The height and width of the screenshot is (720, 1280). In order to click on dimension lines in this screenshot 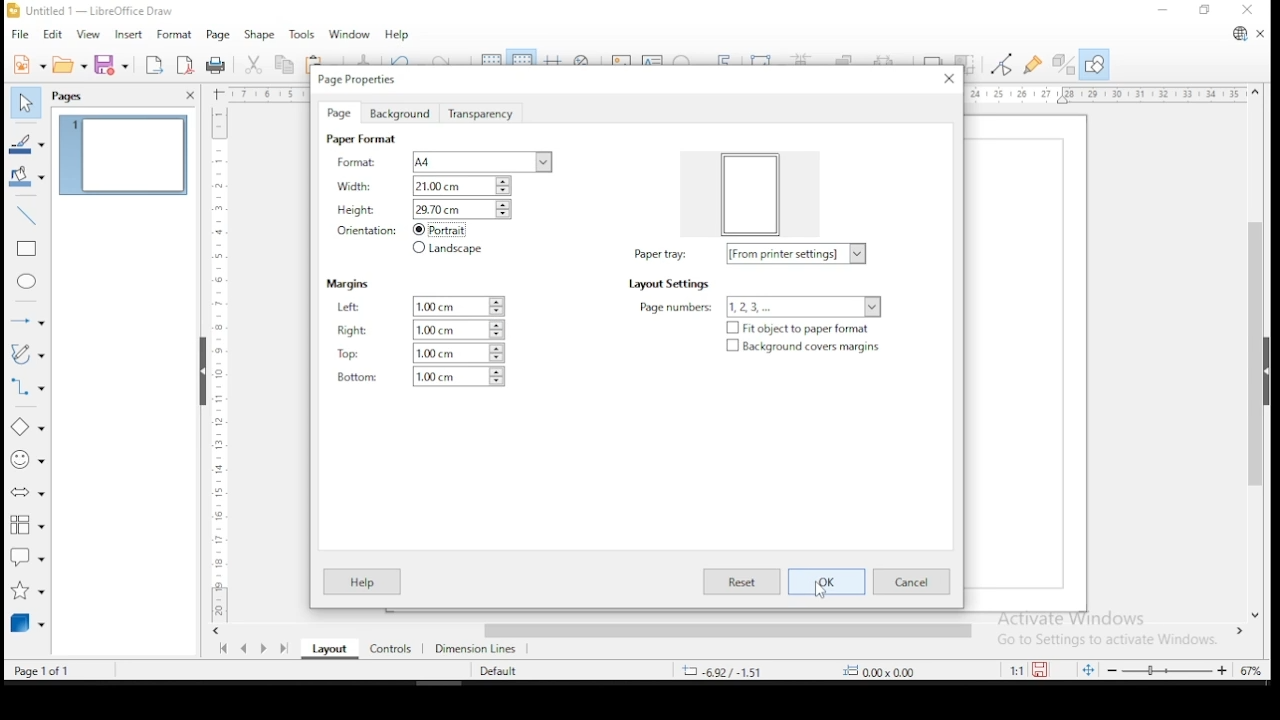, I will do `click(480, 650)`.